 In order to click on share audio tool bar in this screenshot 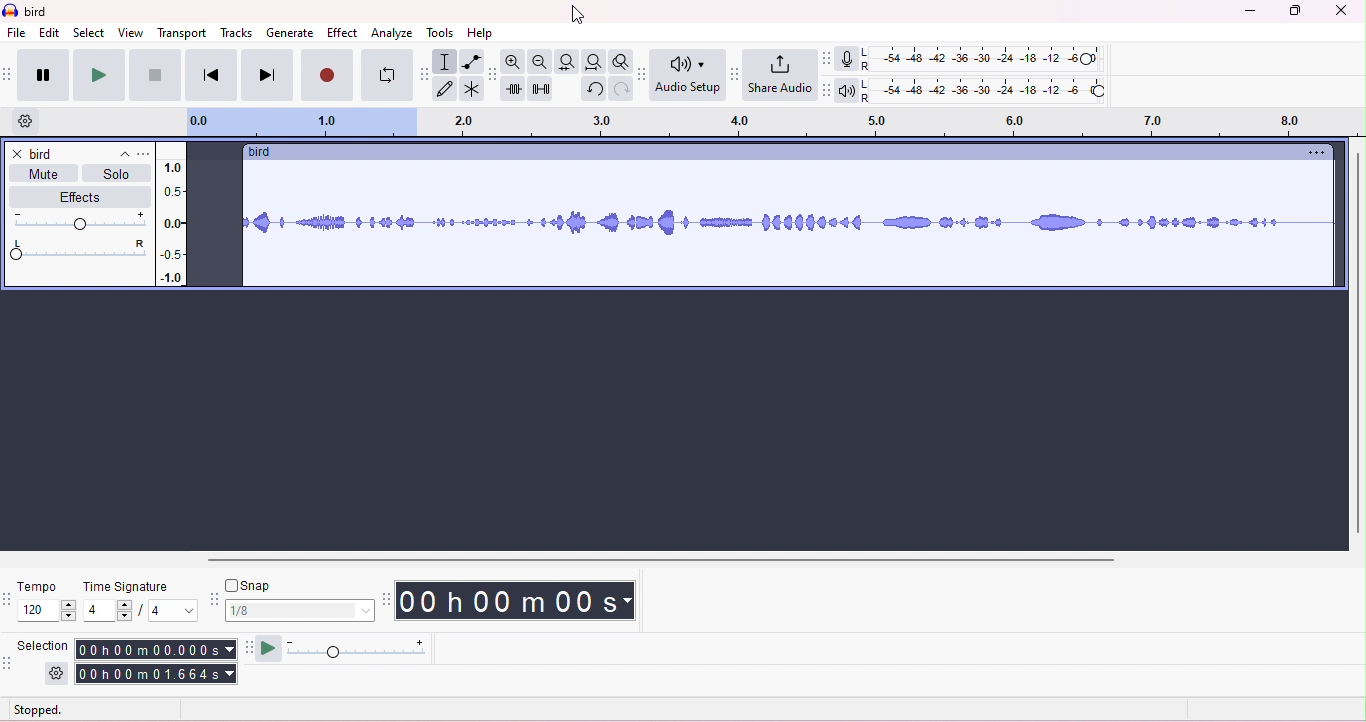, I will do `click(734, 73)`.